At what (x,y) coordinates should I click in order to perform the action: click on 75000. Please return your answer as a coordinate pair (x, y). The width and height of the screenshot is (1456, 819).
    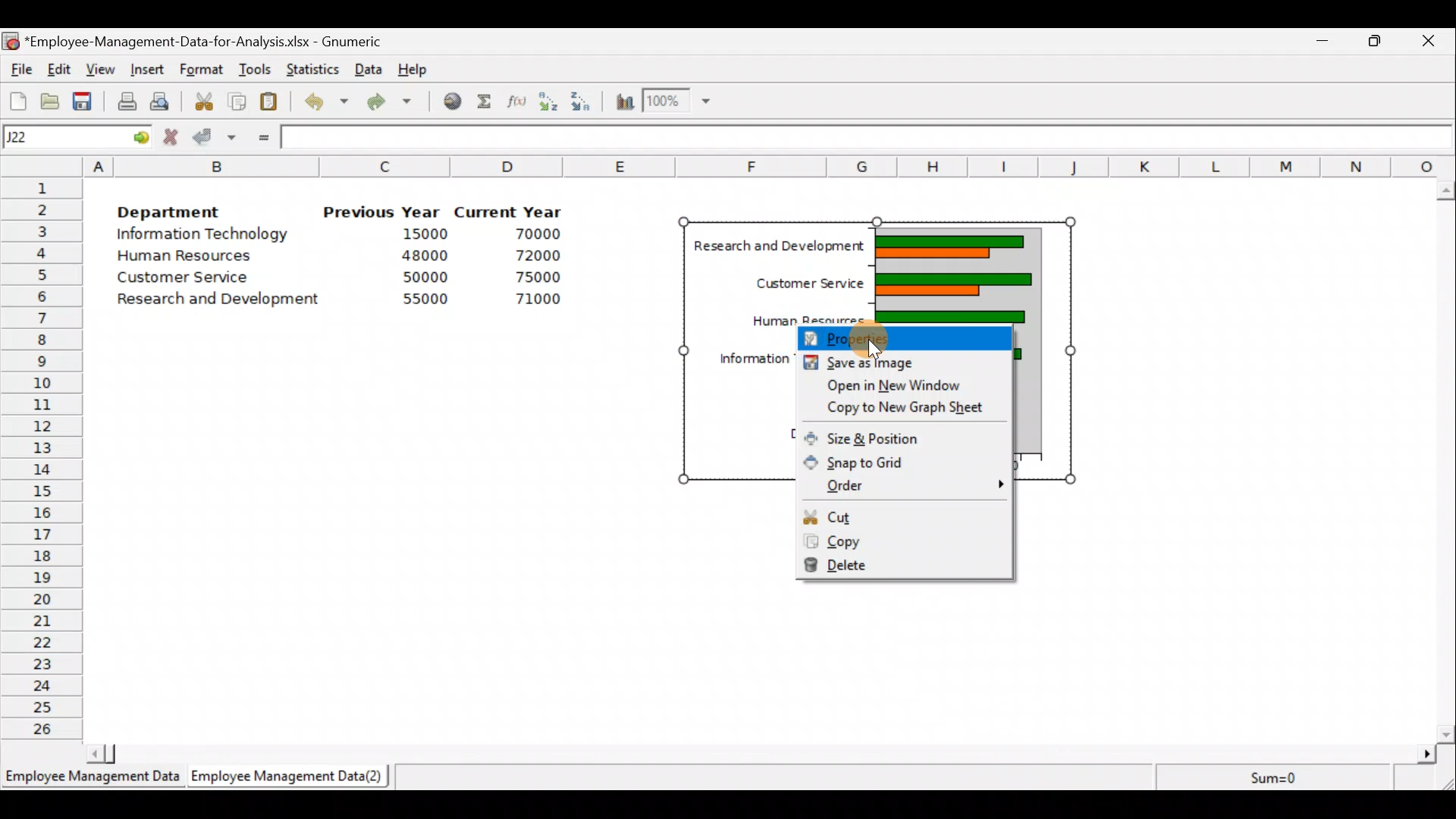
    Looking at the image, I should click on (525, 279).